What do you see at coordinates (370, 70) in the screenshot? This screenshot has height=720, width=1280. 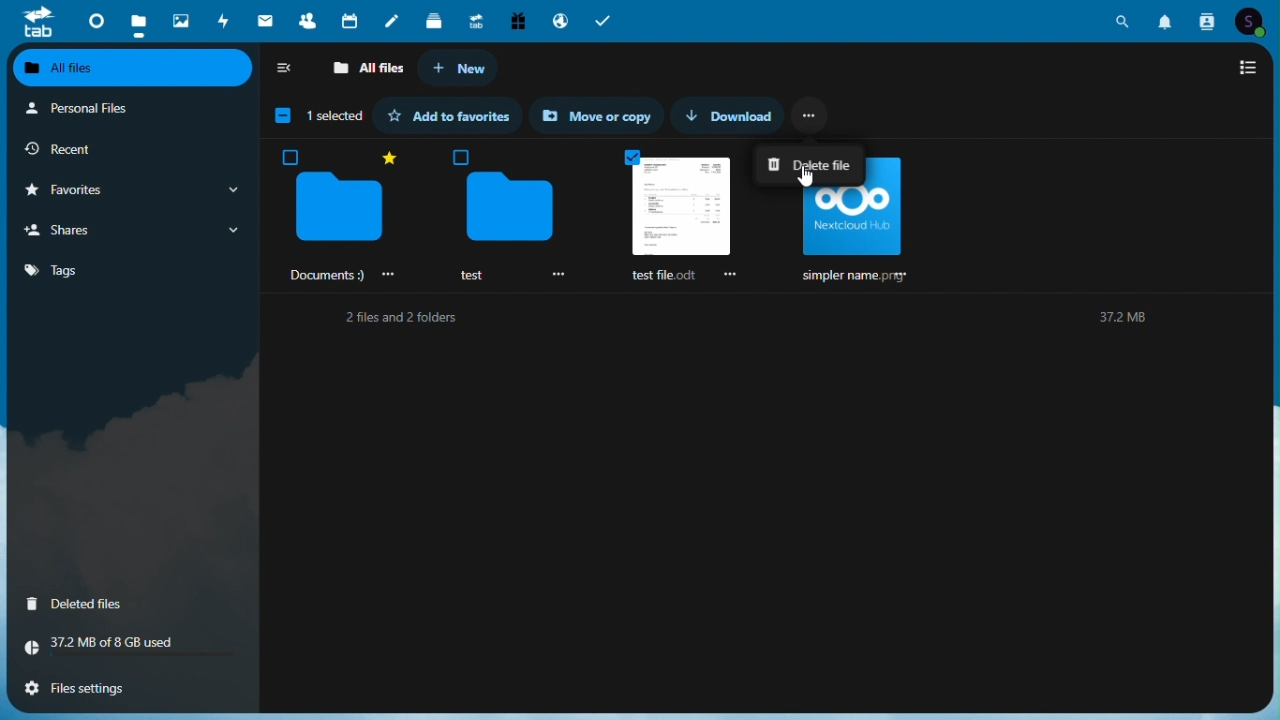 I see `All files` at bounding box center [370, 70].